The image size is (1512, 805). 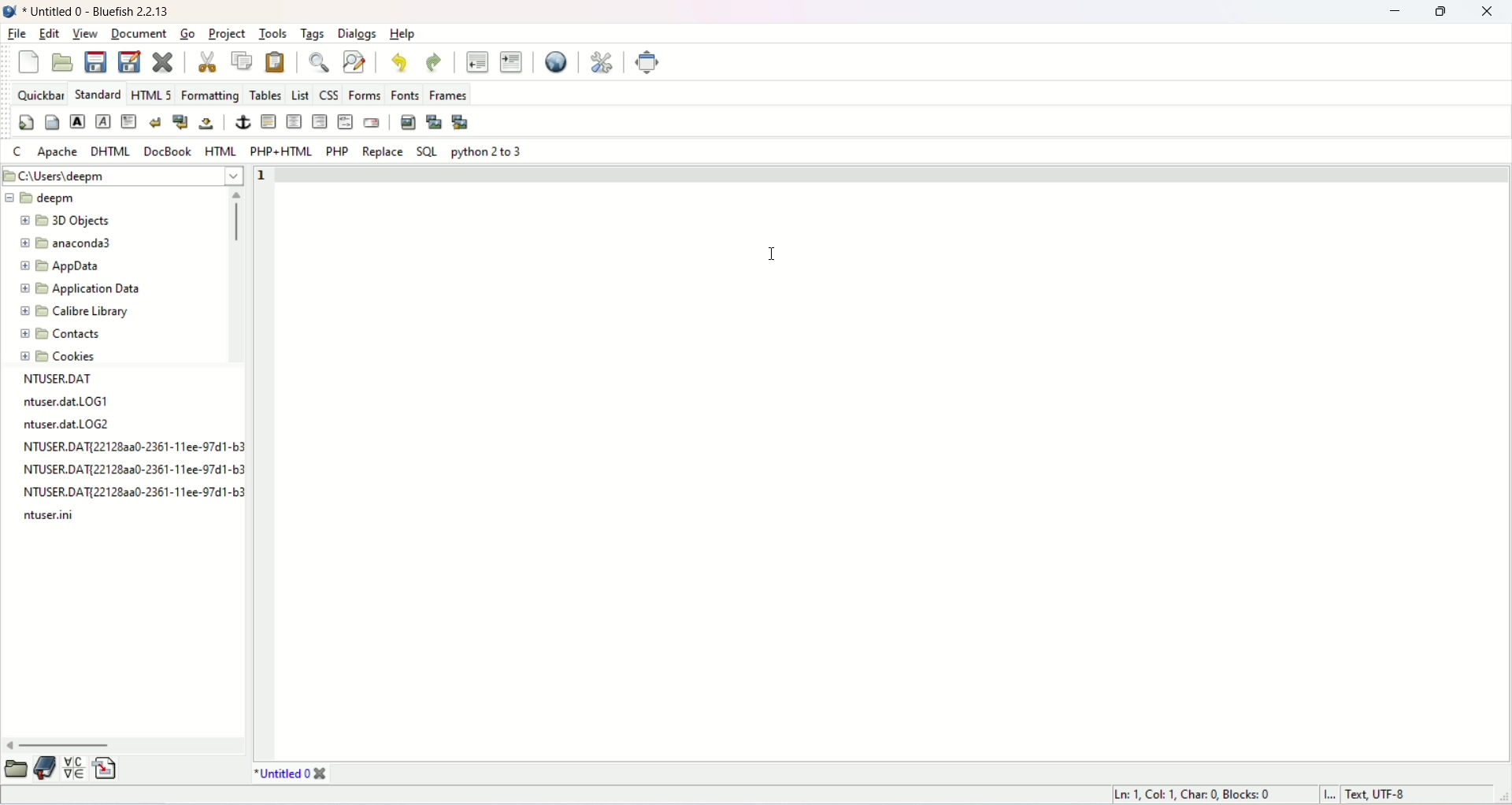 I want to click on application, so click(x=78, y=289).